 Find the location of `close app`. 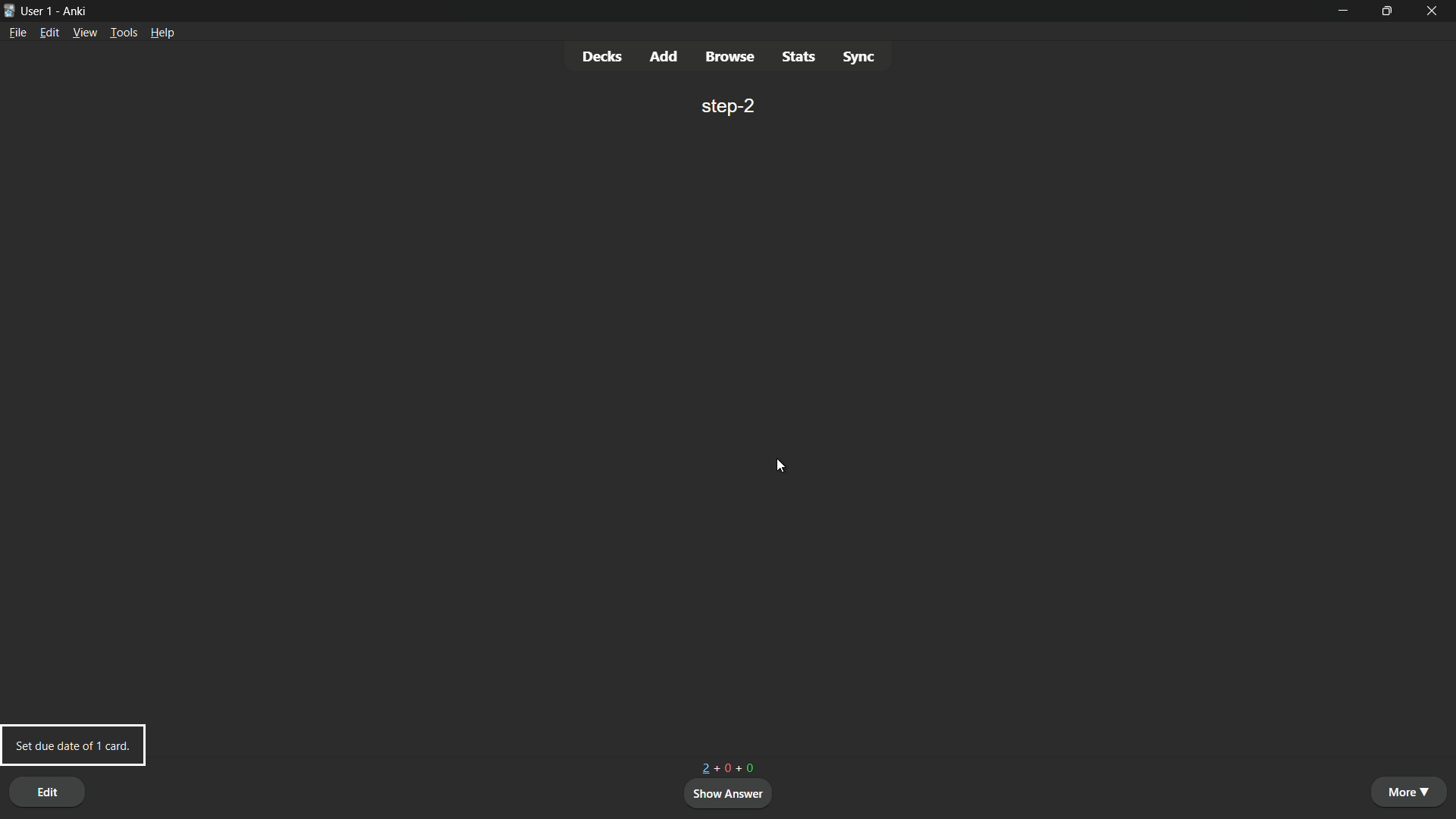

close app is located at coordinates (1435, 11).